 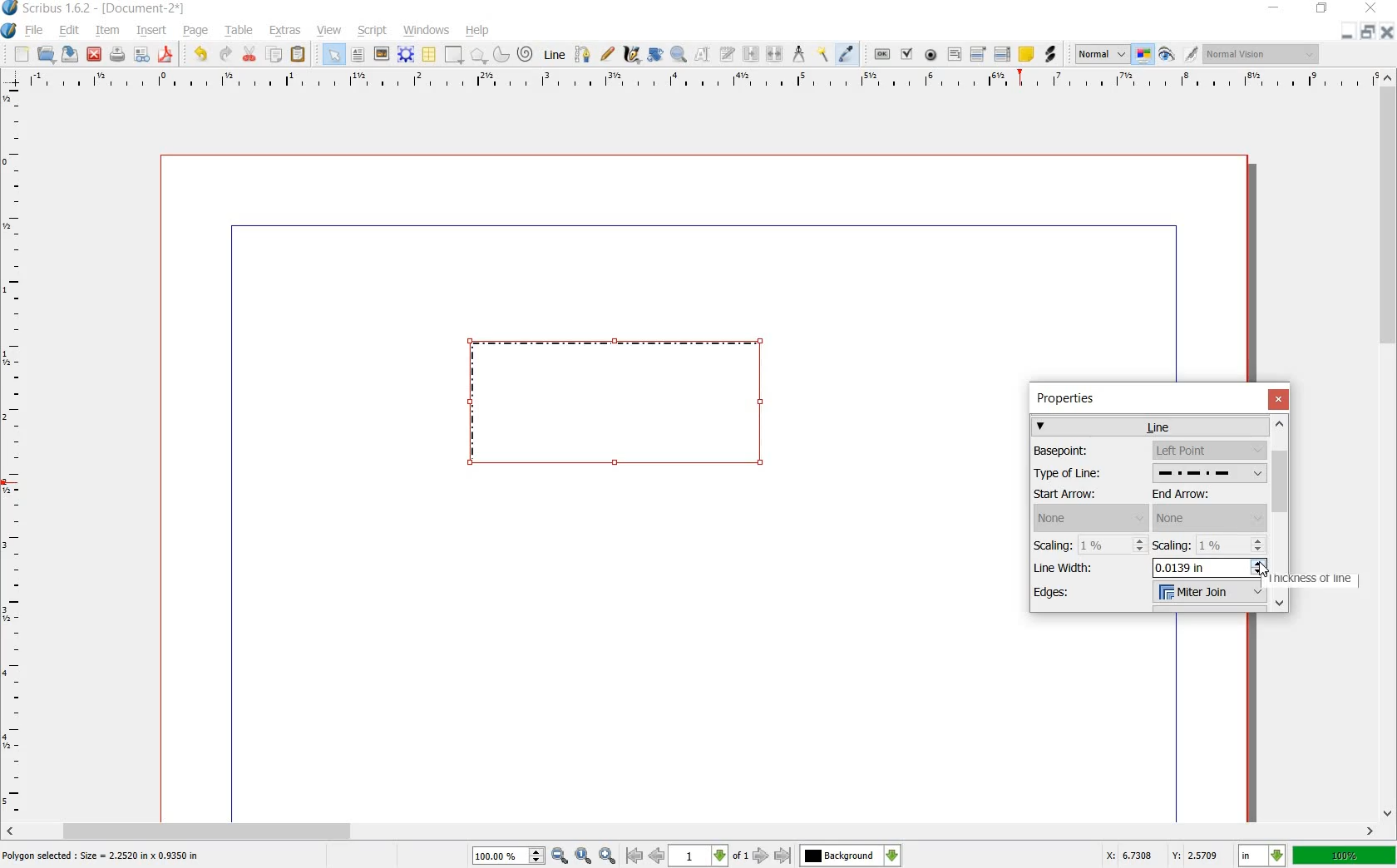 I want to click on MEASUREMENTS, so click(x=798, y=54).